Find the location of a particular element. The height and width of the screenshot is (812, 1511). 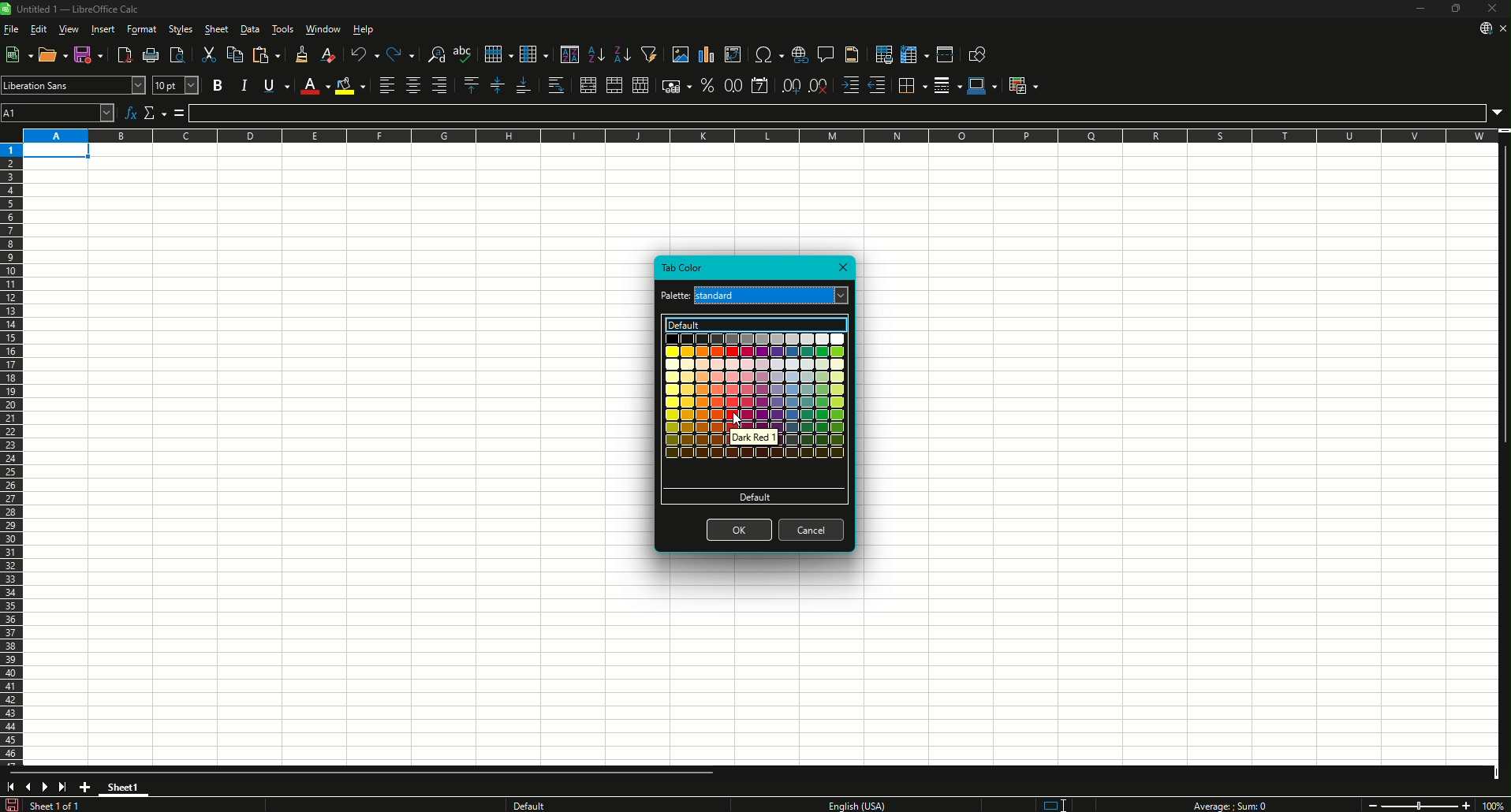

Auto Filter is located at coordinates (650, 54).